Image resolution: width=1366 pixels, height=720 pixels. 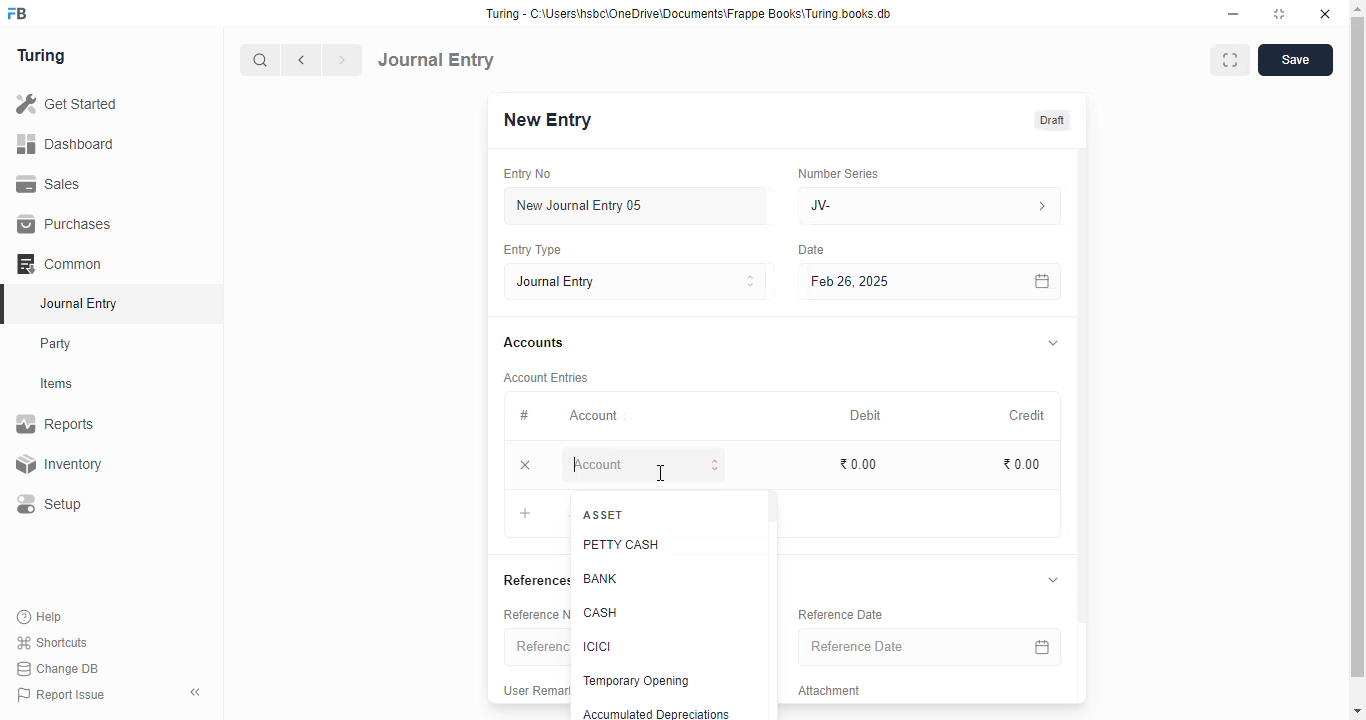 I want to click on entry type, so click(x=532, y=250).